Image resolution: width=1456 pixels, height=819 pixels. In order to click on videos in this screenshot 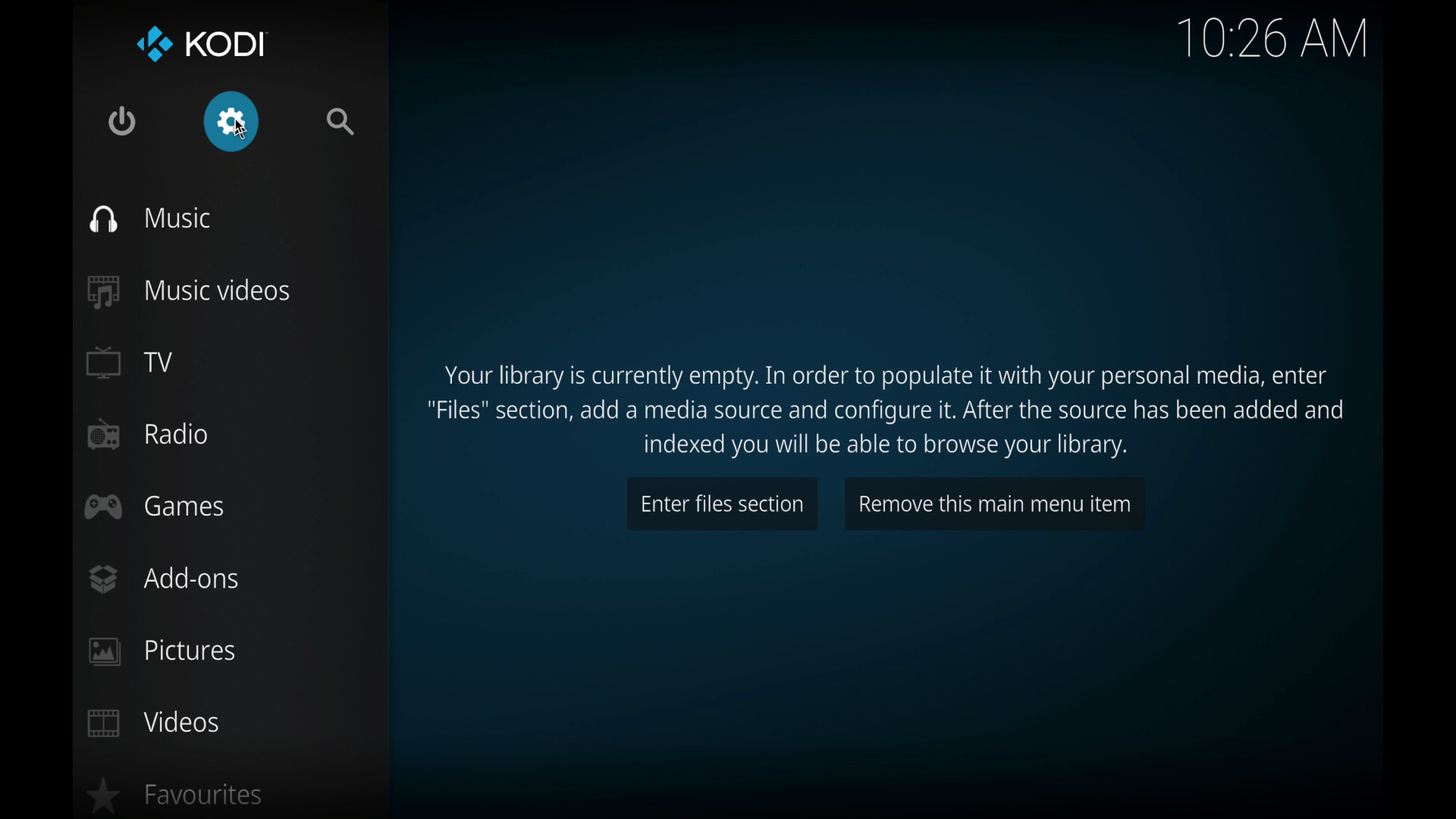, I will do `click(155, 723)`.